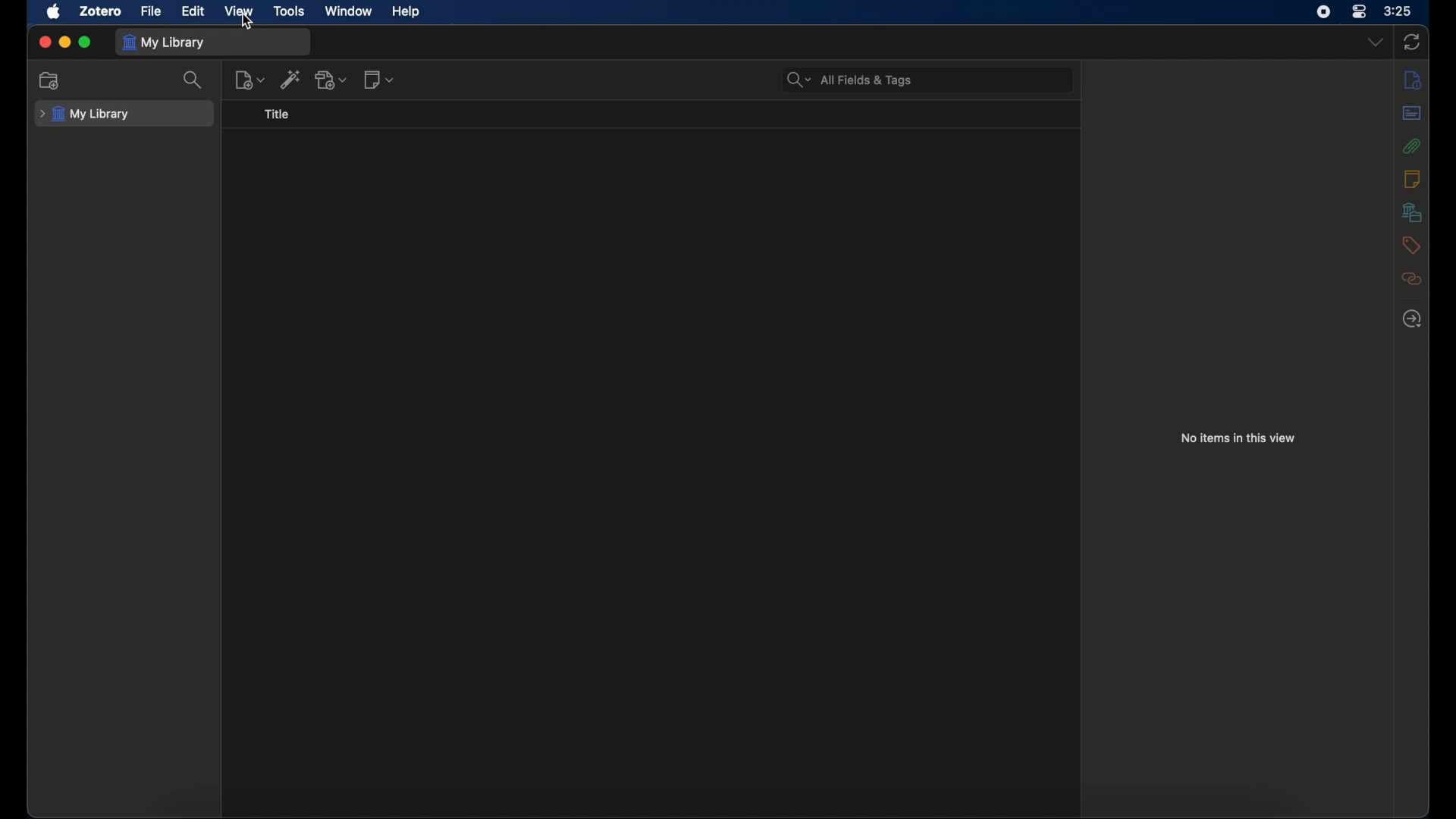  What do you see at coordinates (1400, 11) in the screenshot?
I see `time (3:25)` at bounding box center [1400, 11].